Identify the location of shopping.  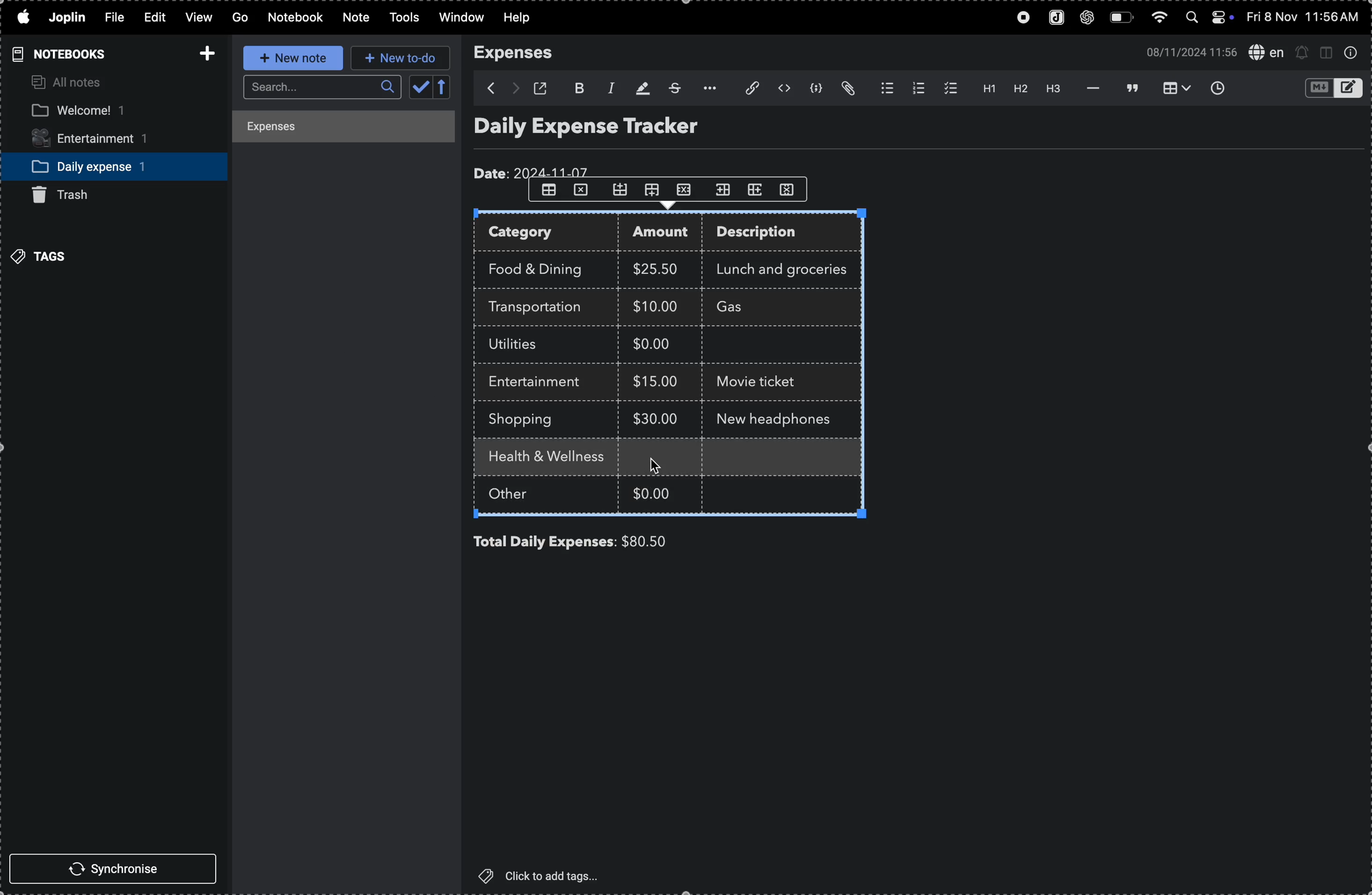
(529, 420).